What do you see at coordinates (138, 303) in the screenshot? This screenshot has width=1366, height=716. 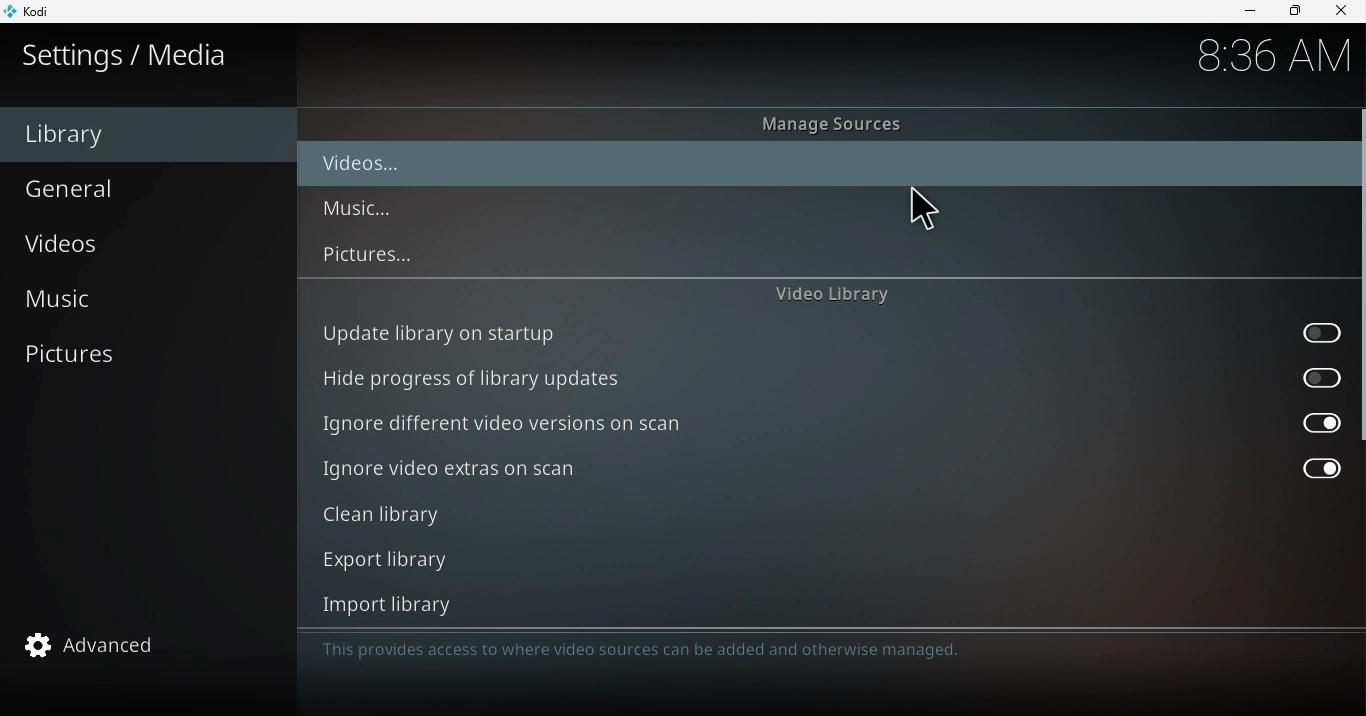 I see `Music` at bounding box center [138, 303].